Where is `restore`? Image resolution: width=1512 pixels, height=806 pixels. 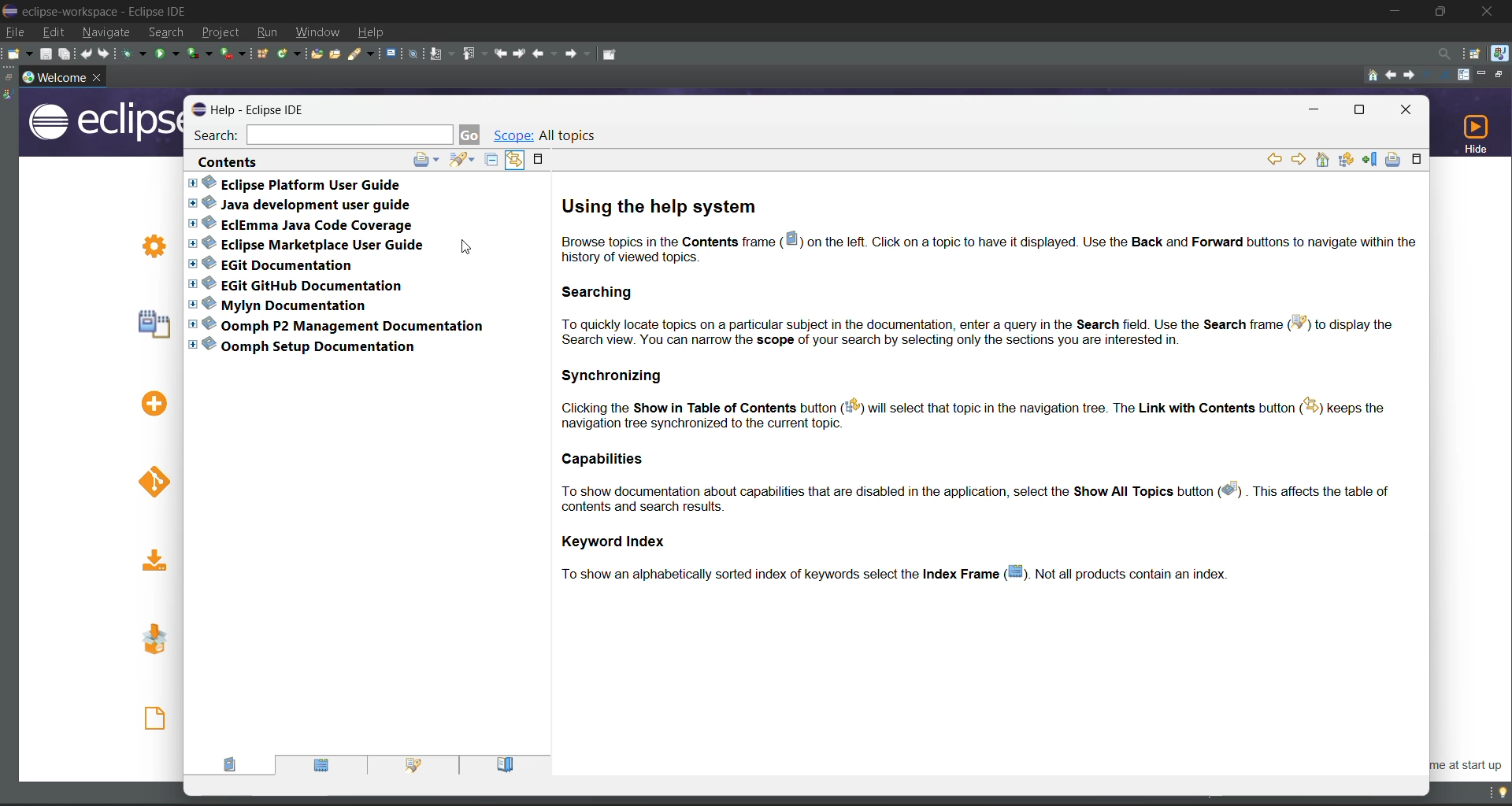
restore is located at coordinates (1502, 76).